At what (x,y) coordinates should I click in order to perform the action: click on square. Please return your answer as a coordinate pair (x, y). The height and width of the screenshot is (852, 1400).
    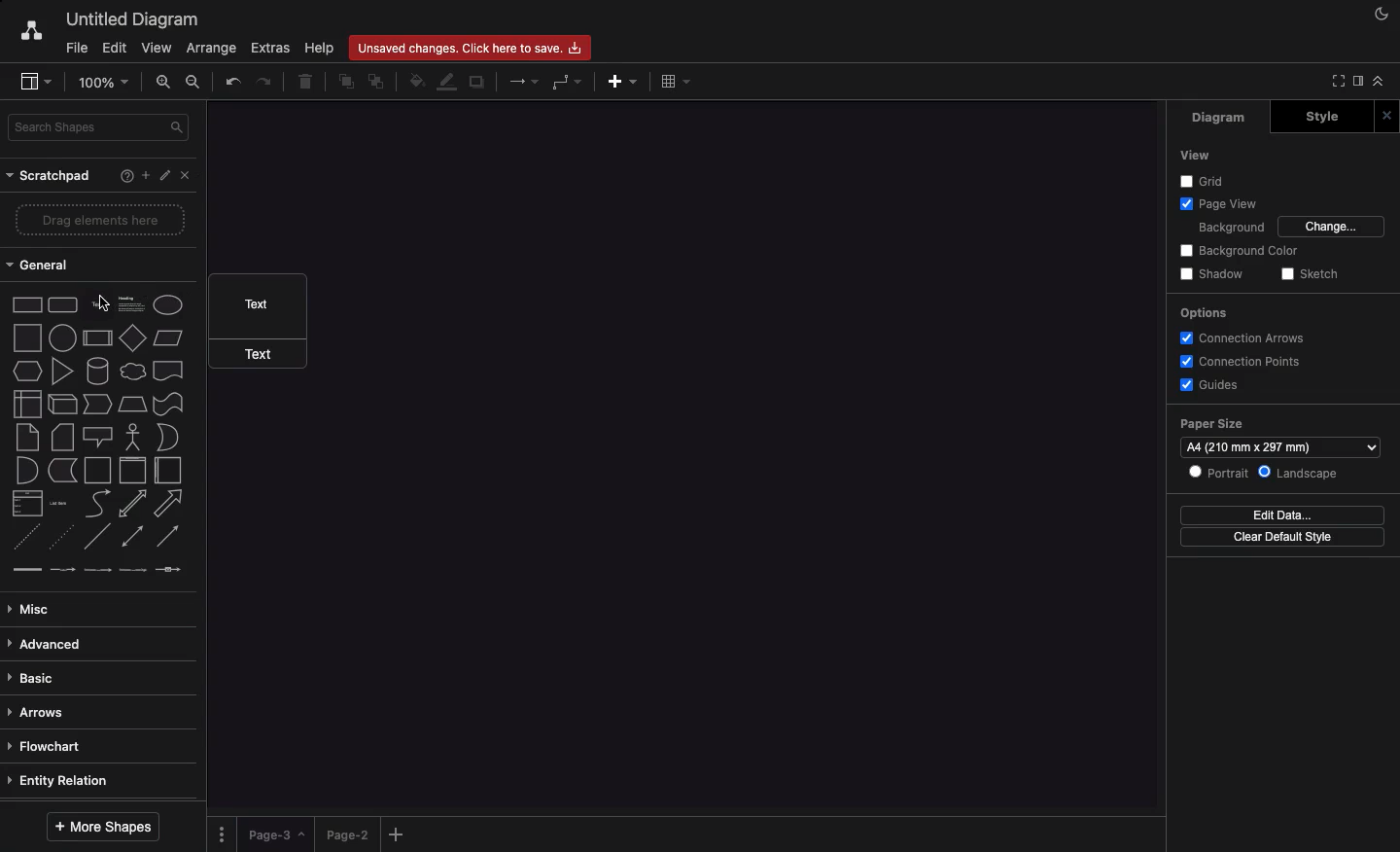
    Looking at the image, I should click on (27, 337).